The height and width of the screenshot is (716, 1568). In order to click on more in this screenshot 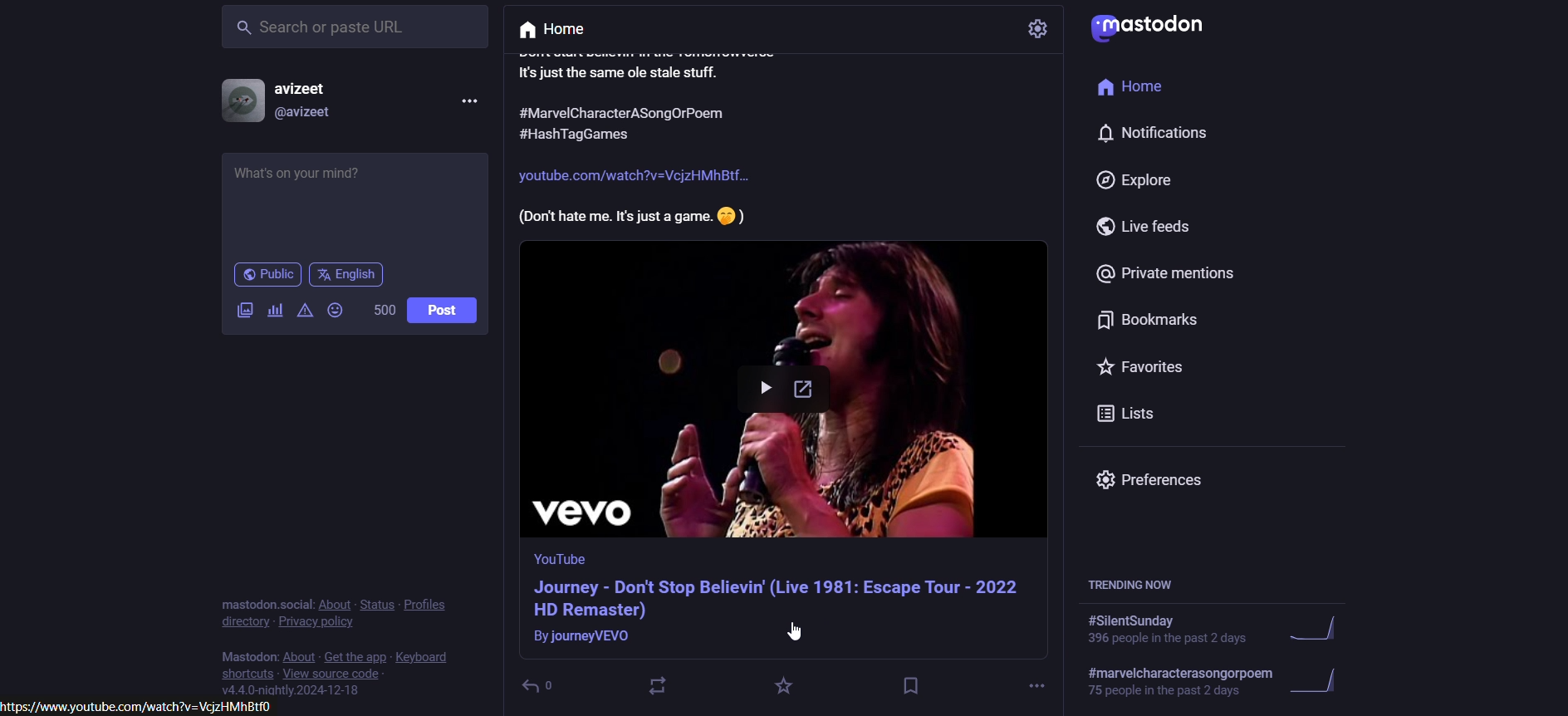, I will do `click(468, 102)`.